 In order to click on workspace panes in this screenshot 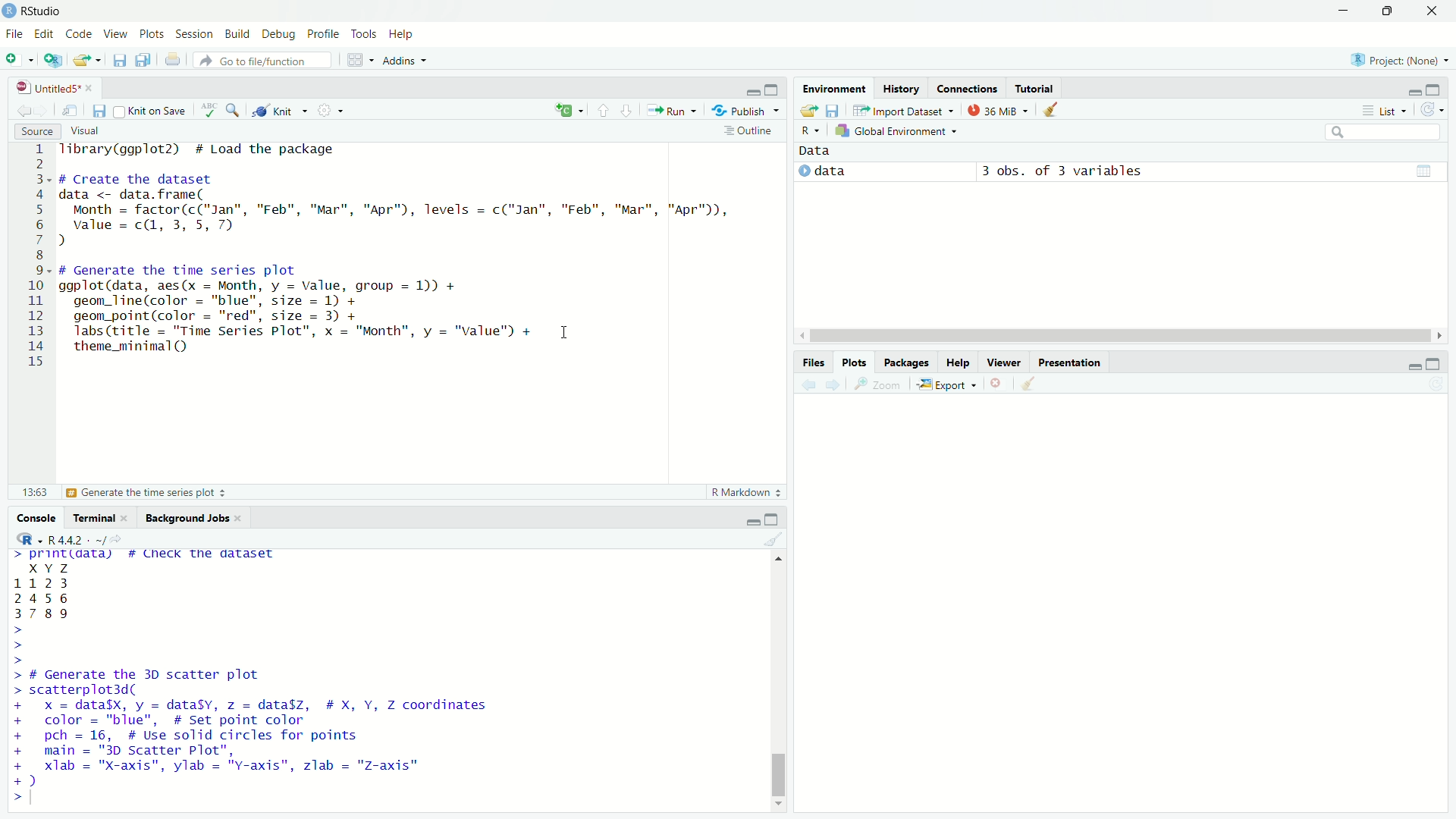, I will do `click(359, 61)`.